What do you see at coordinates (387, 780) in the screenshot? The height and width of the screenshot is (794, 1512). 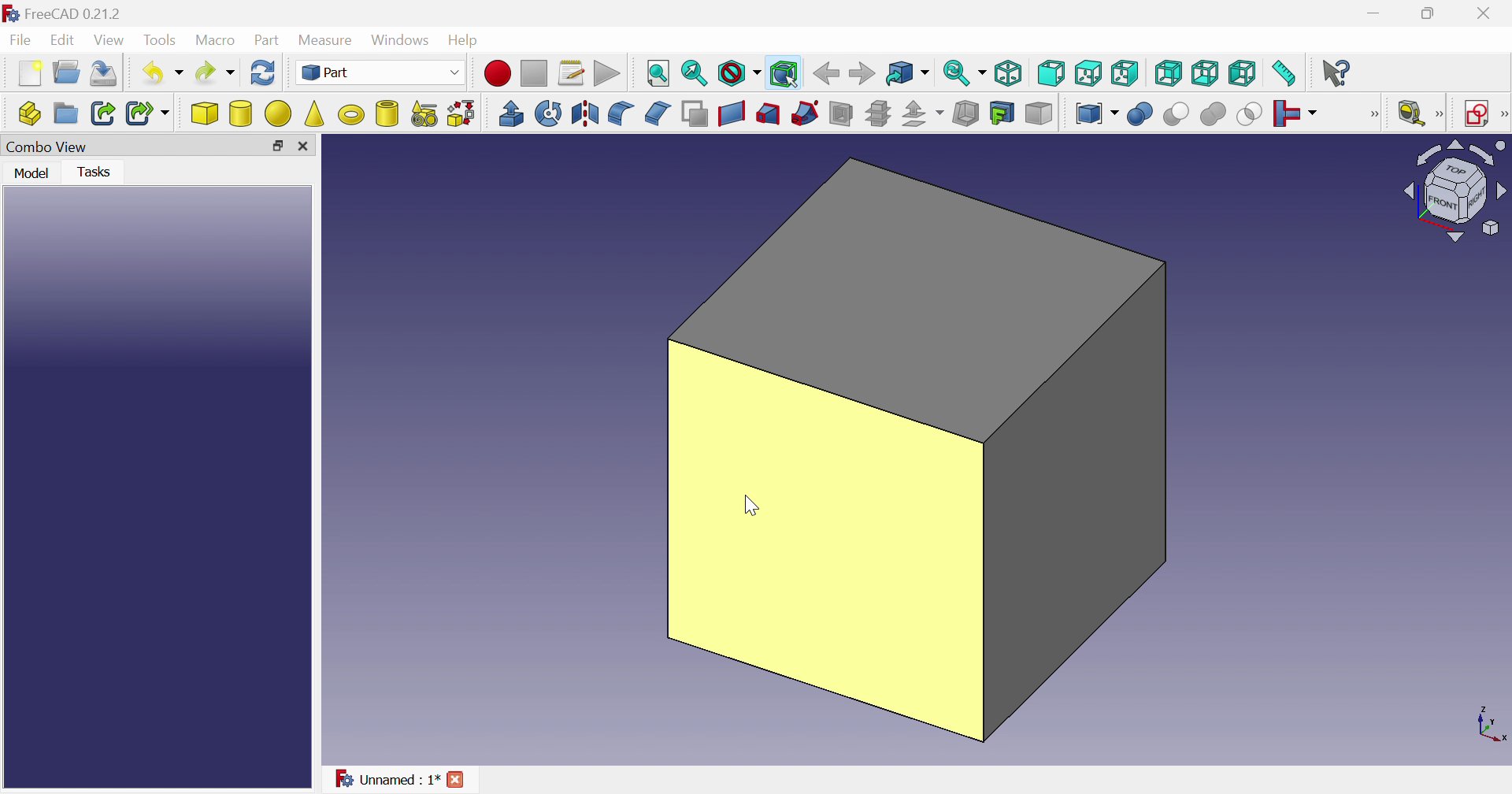 I see `Unnamed : 1*` at bounding box center [387, 780].